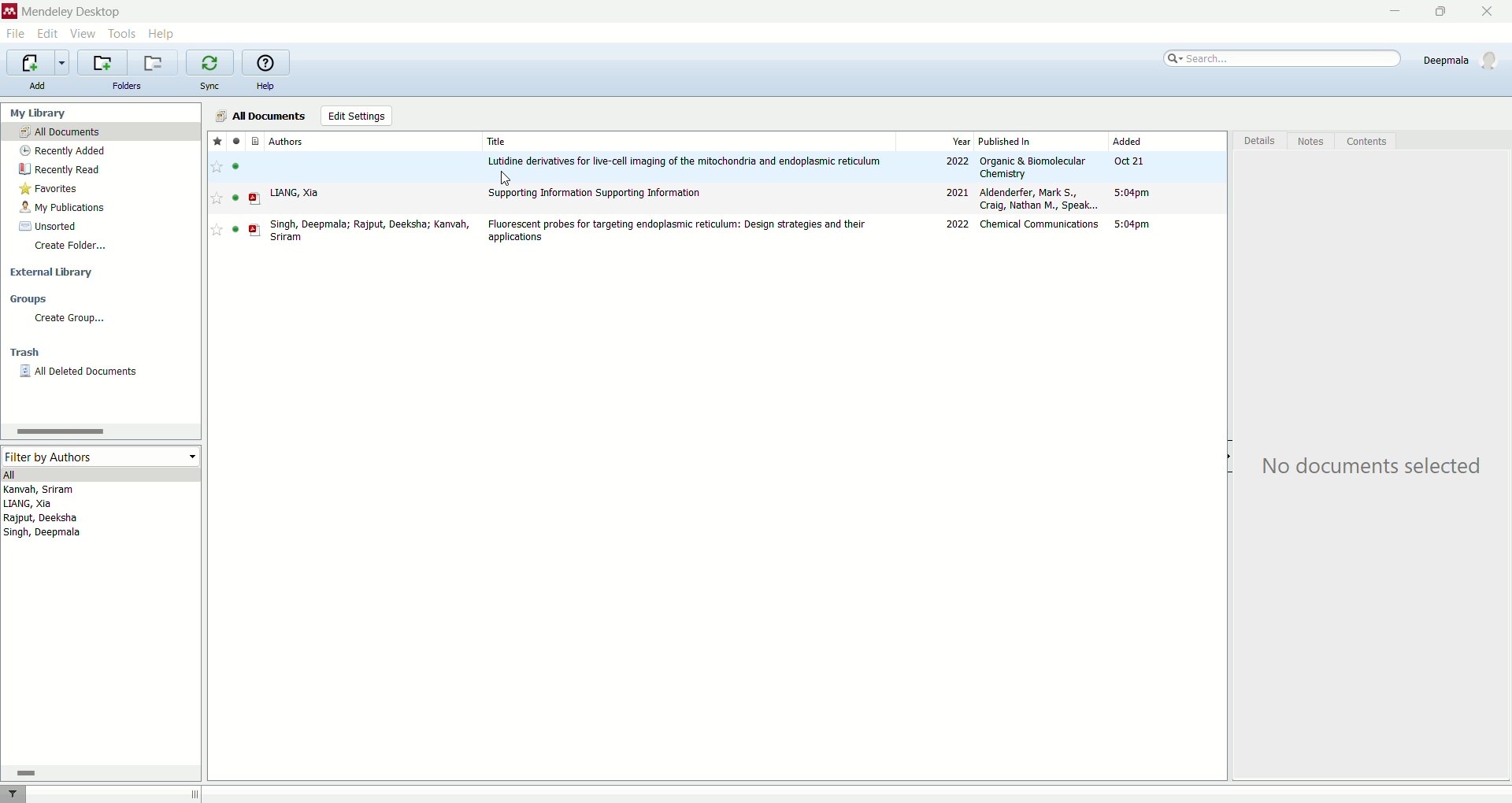 The image size is (1512, 803). I want to click on Singh, Deepmala; Rajput, Deeksha; Kanvah, Sriram, so click(374, 230).